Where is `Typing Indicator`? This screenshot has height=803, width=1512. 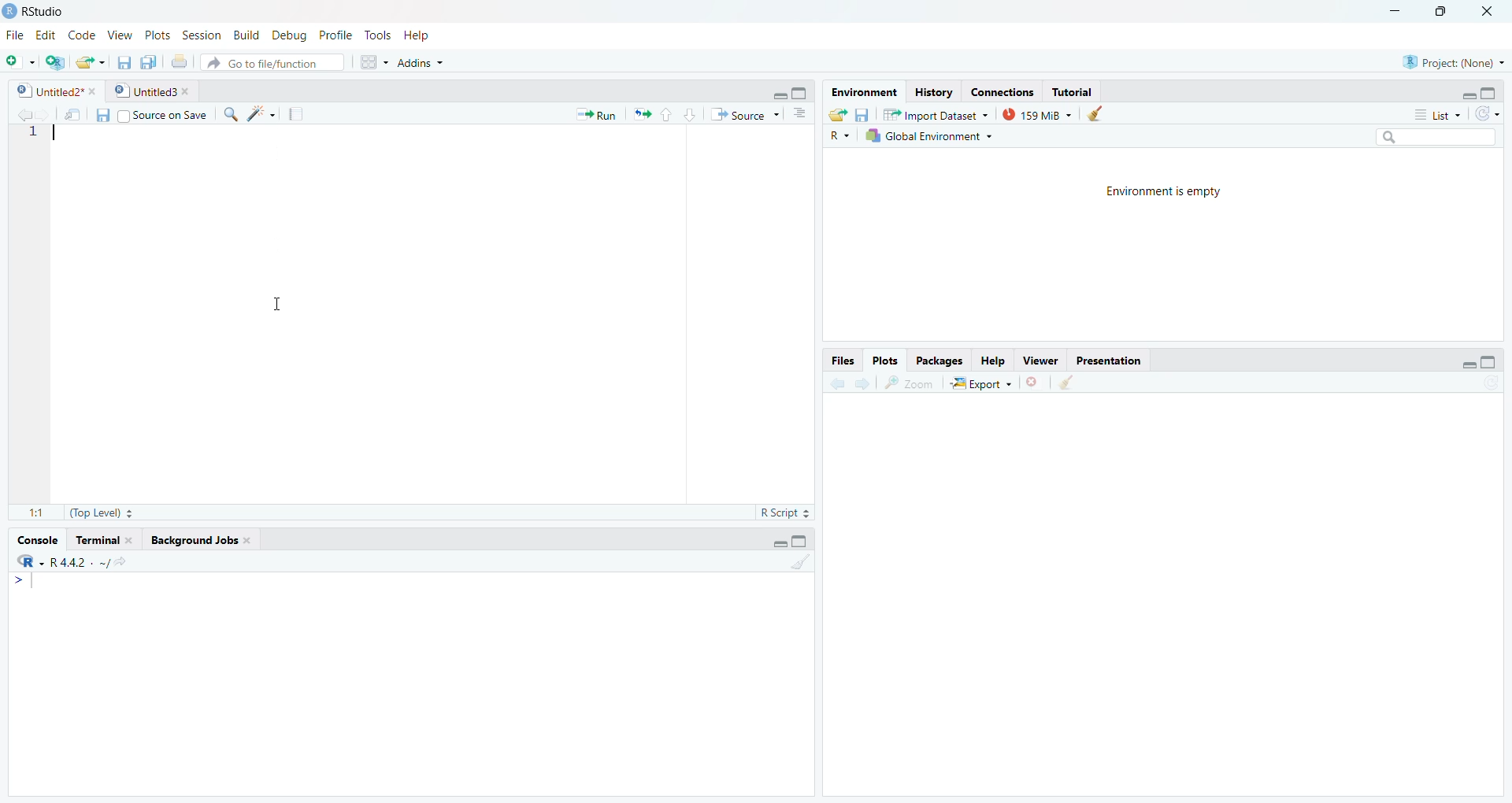 Typing Indicator is located at coordinates (24, 582).